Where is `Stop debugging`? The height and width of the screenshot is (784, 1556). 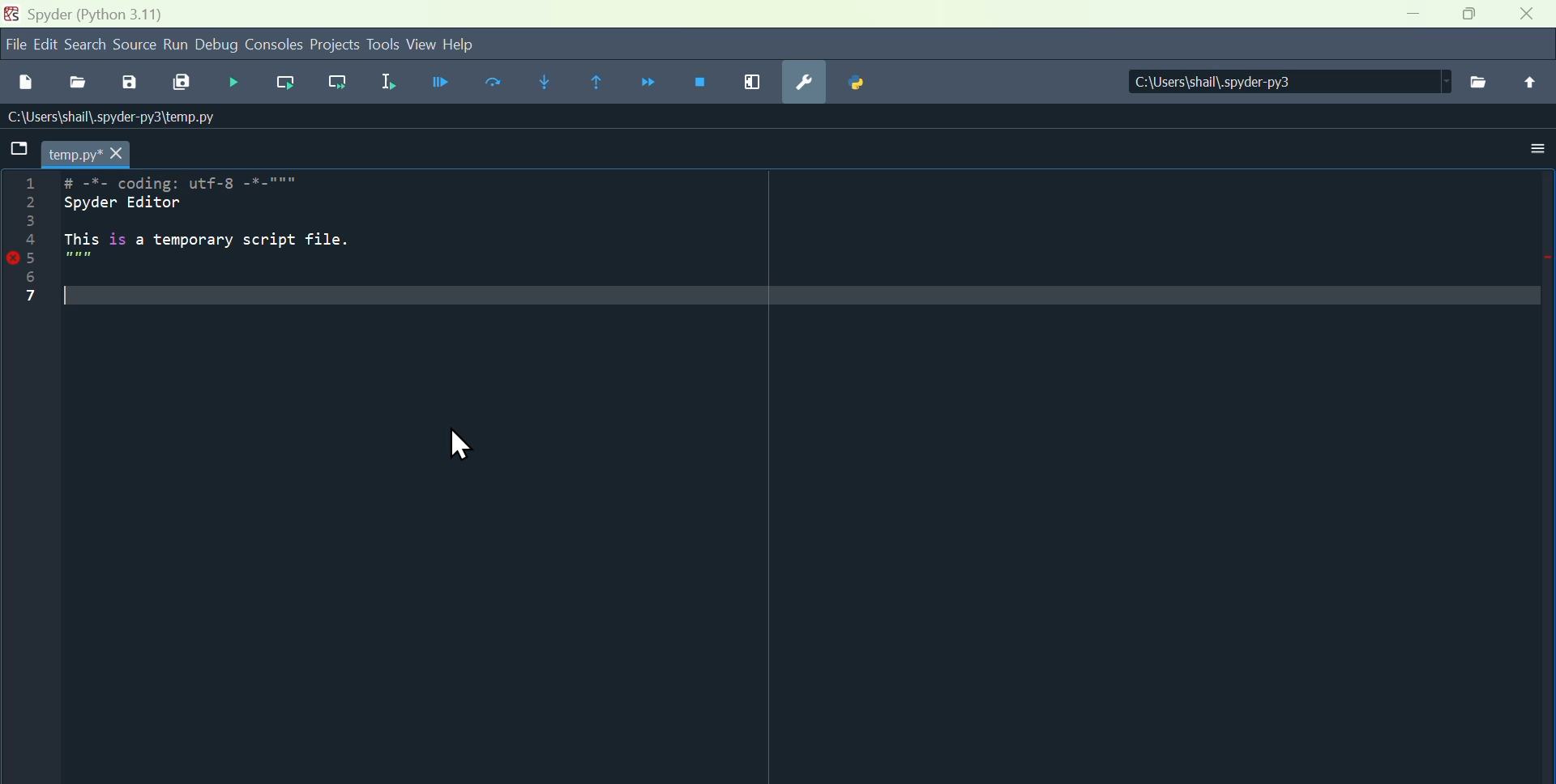 Stop debugging is located at coordinates (701, 79).